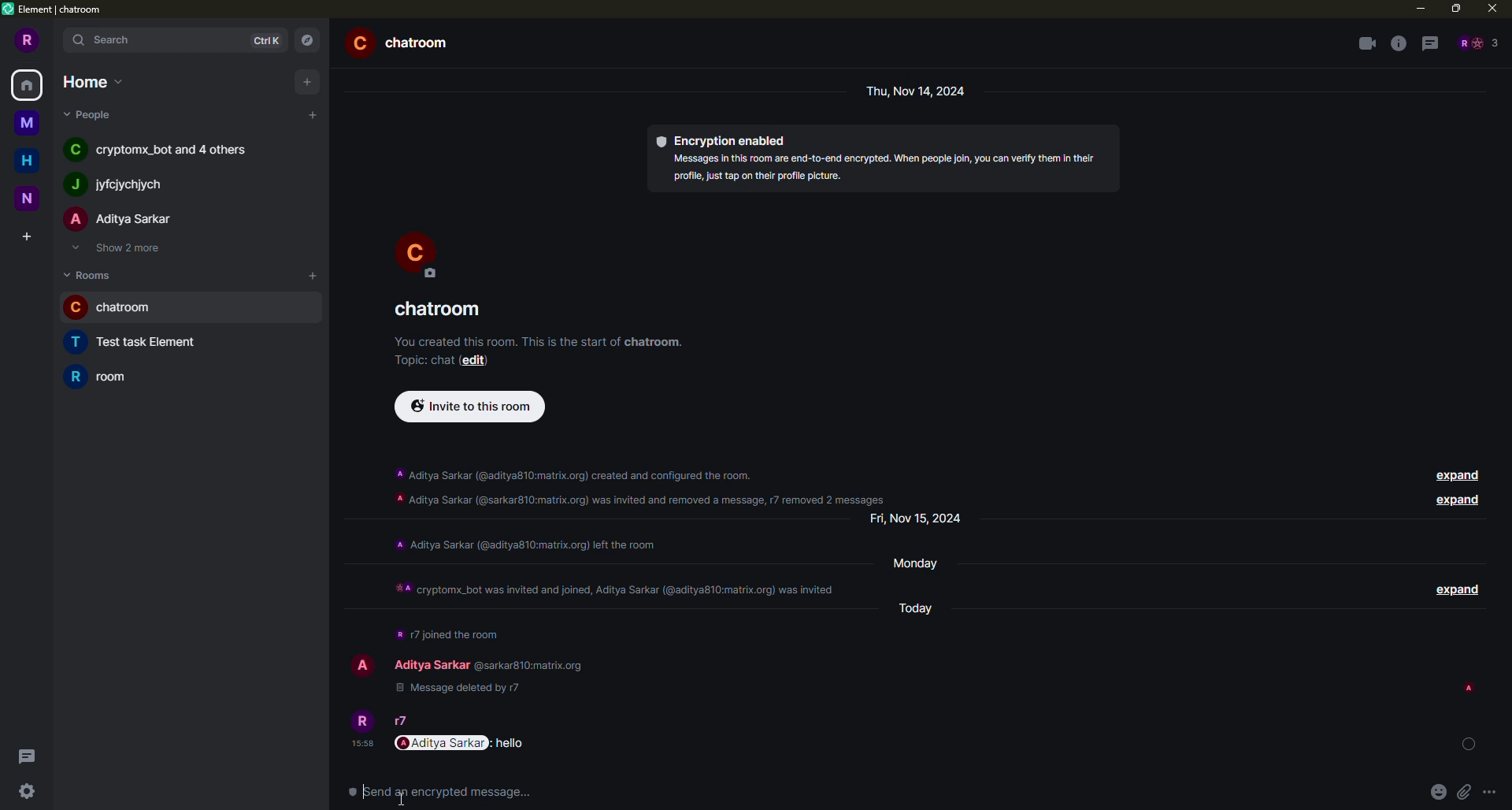 The image size is (1512, 810). I want to click on people, so click(91, 114).